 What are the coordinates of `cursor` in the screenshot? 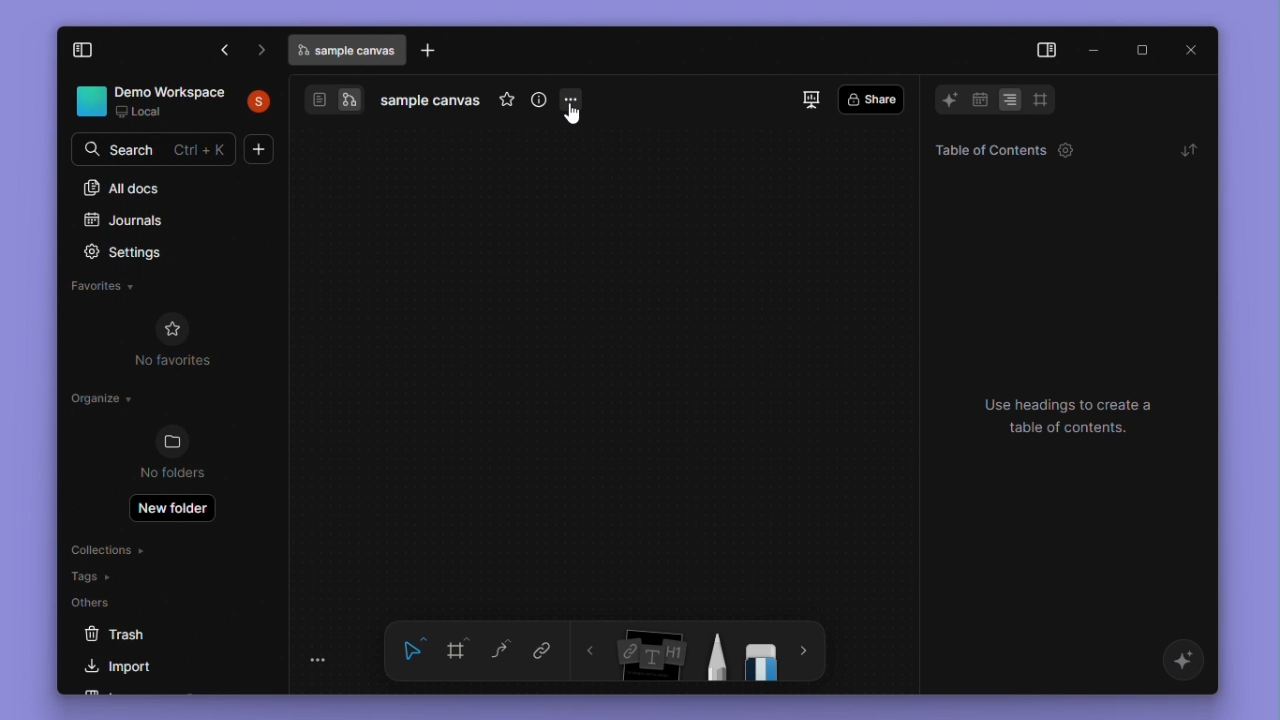 It's located at (575, 115).